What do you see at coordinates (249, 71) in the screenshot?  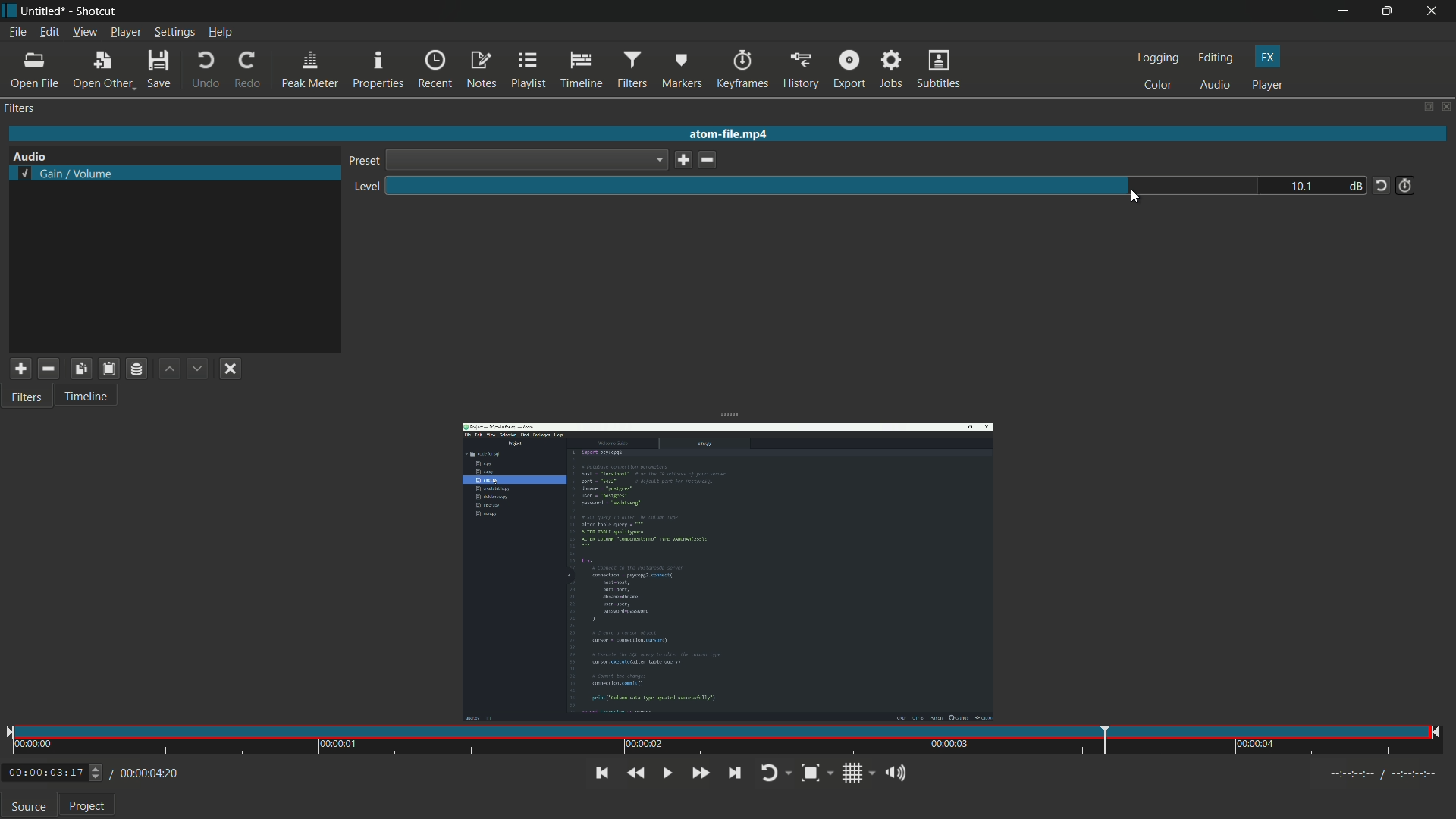 I see `redo` at bounding box center [249, 71].